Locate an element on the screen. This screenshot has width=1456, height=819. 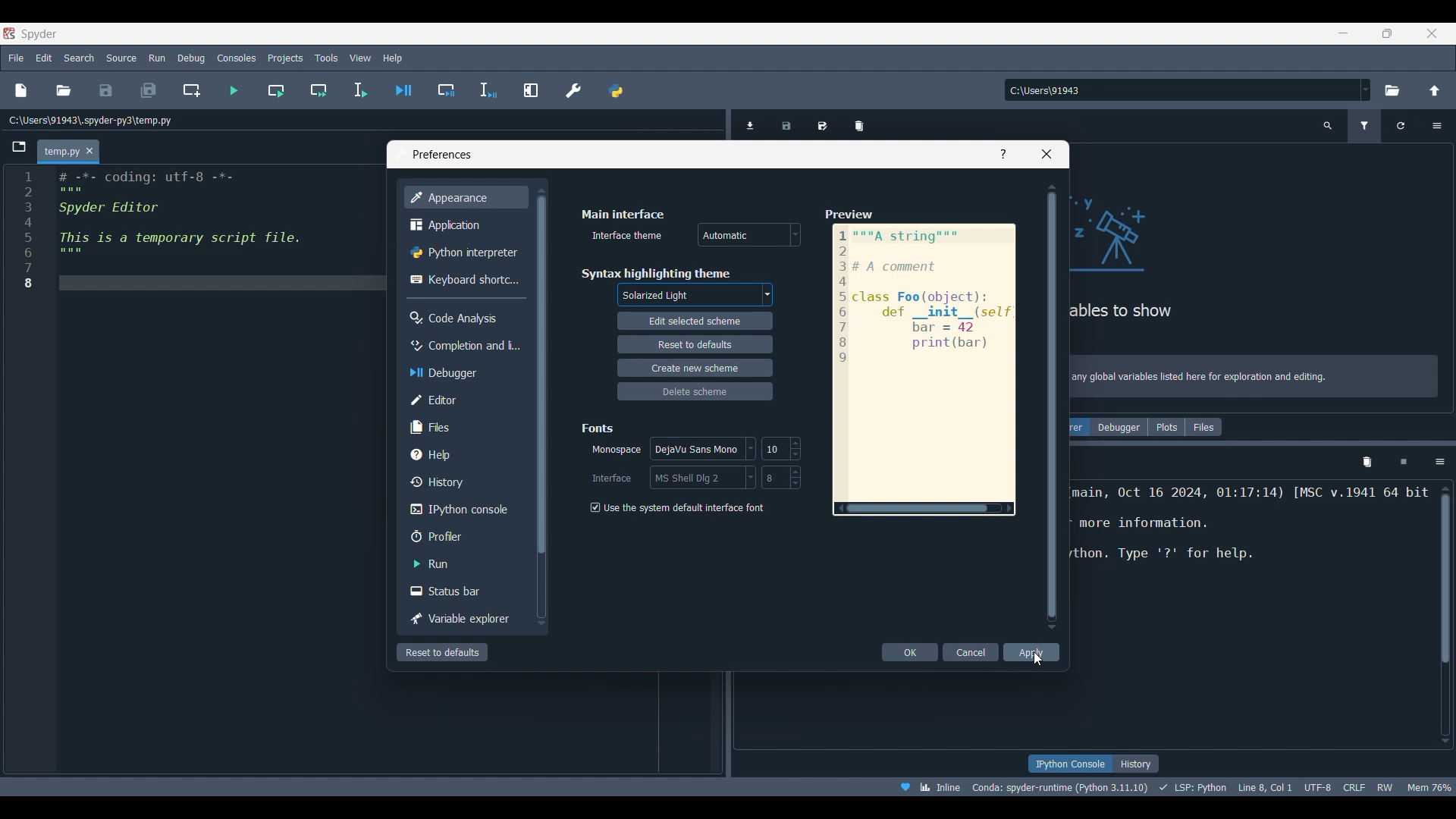
IPython console is located at coordinates (463, 510).